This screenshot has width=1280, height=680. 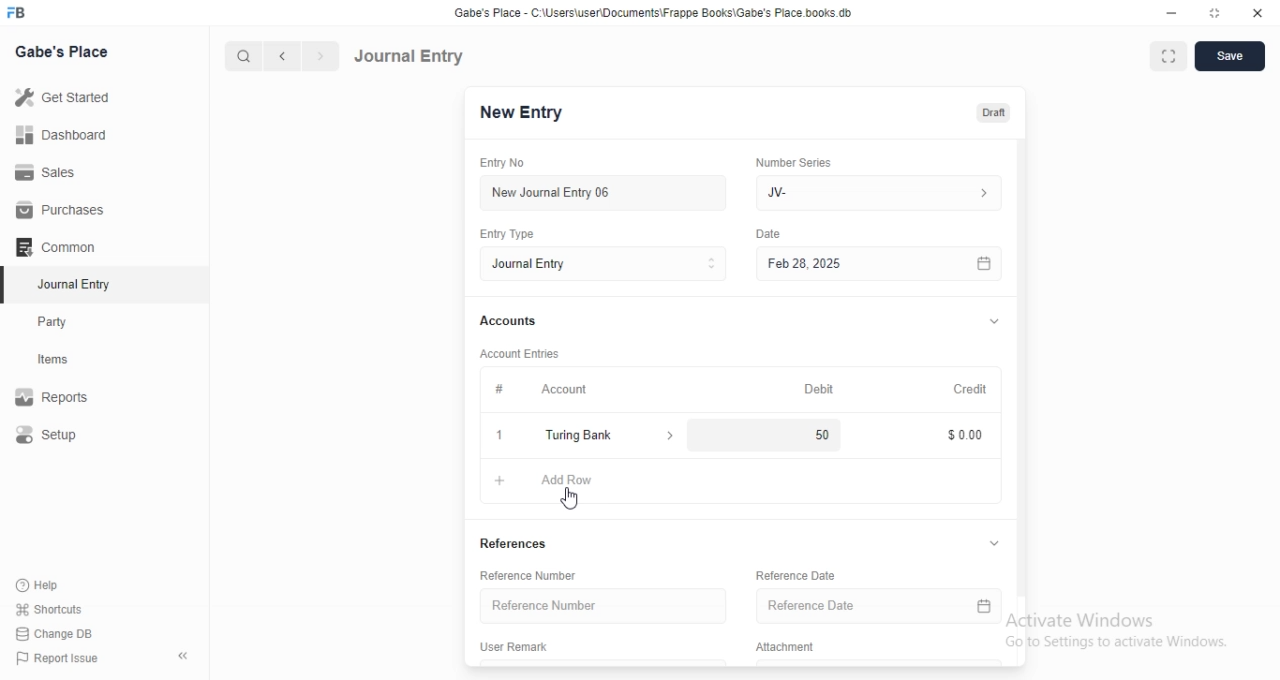 I want to click on Accounts., so click(x=518, y=322).